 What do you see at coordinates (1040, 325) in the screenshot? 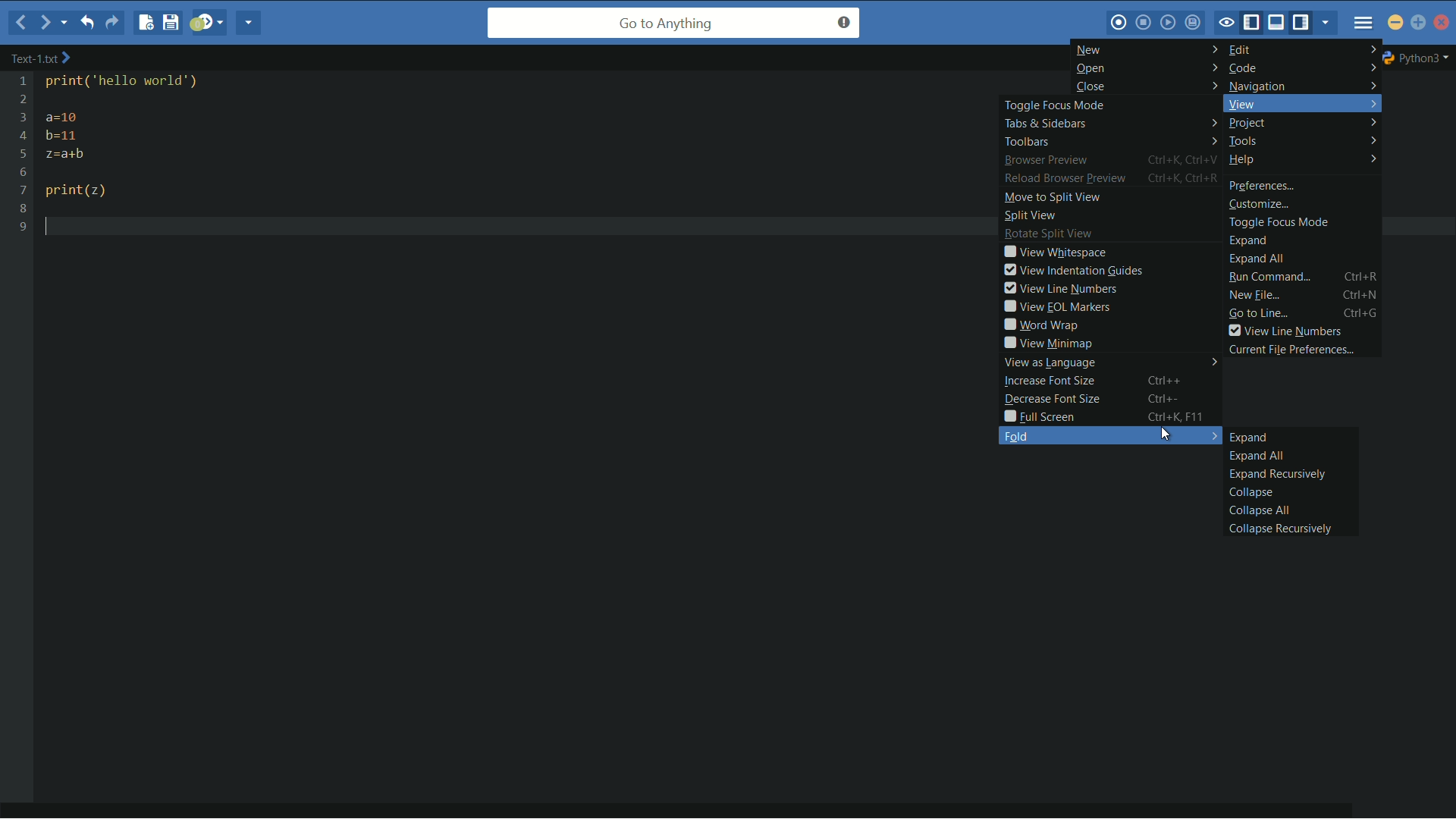
I see `word wrap` at bounding box center [1040, 325].